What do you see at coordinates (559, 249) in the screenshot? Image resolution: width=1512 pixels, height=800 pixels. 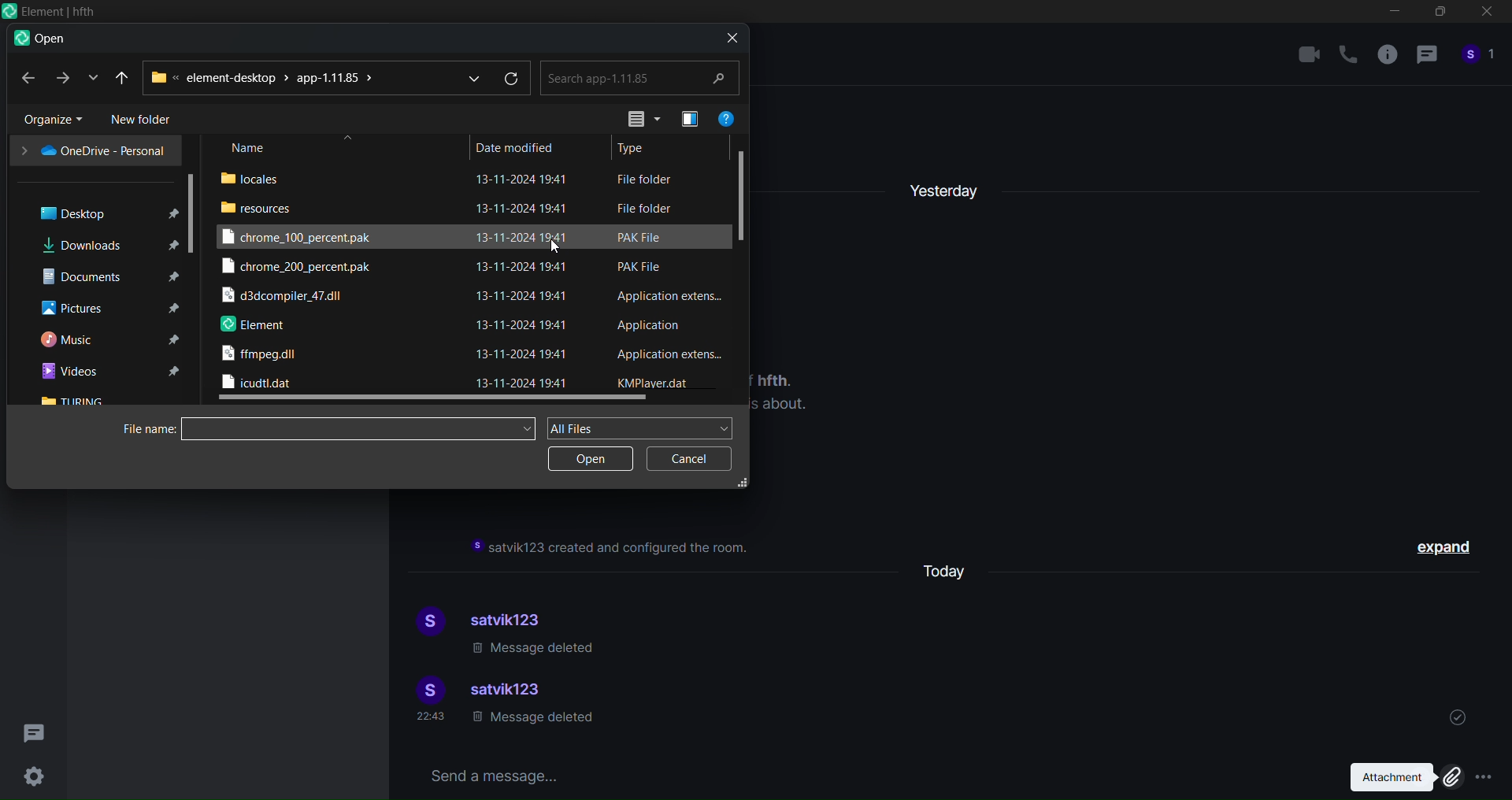 I see `Cursor` at bounding box center [559, 249].